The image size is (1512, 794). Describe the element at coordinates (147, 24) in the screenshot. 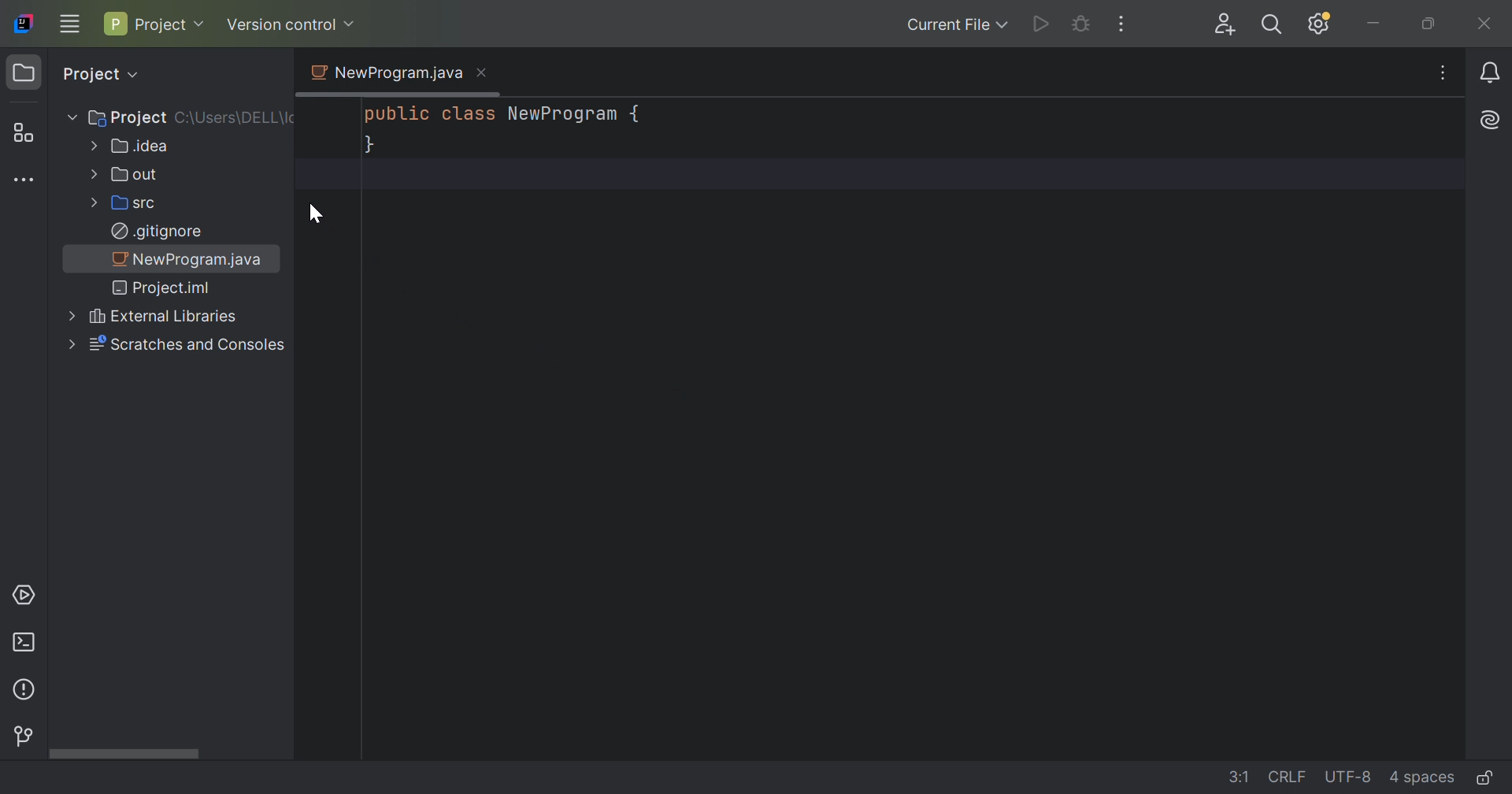

I see `Project` at that location.